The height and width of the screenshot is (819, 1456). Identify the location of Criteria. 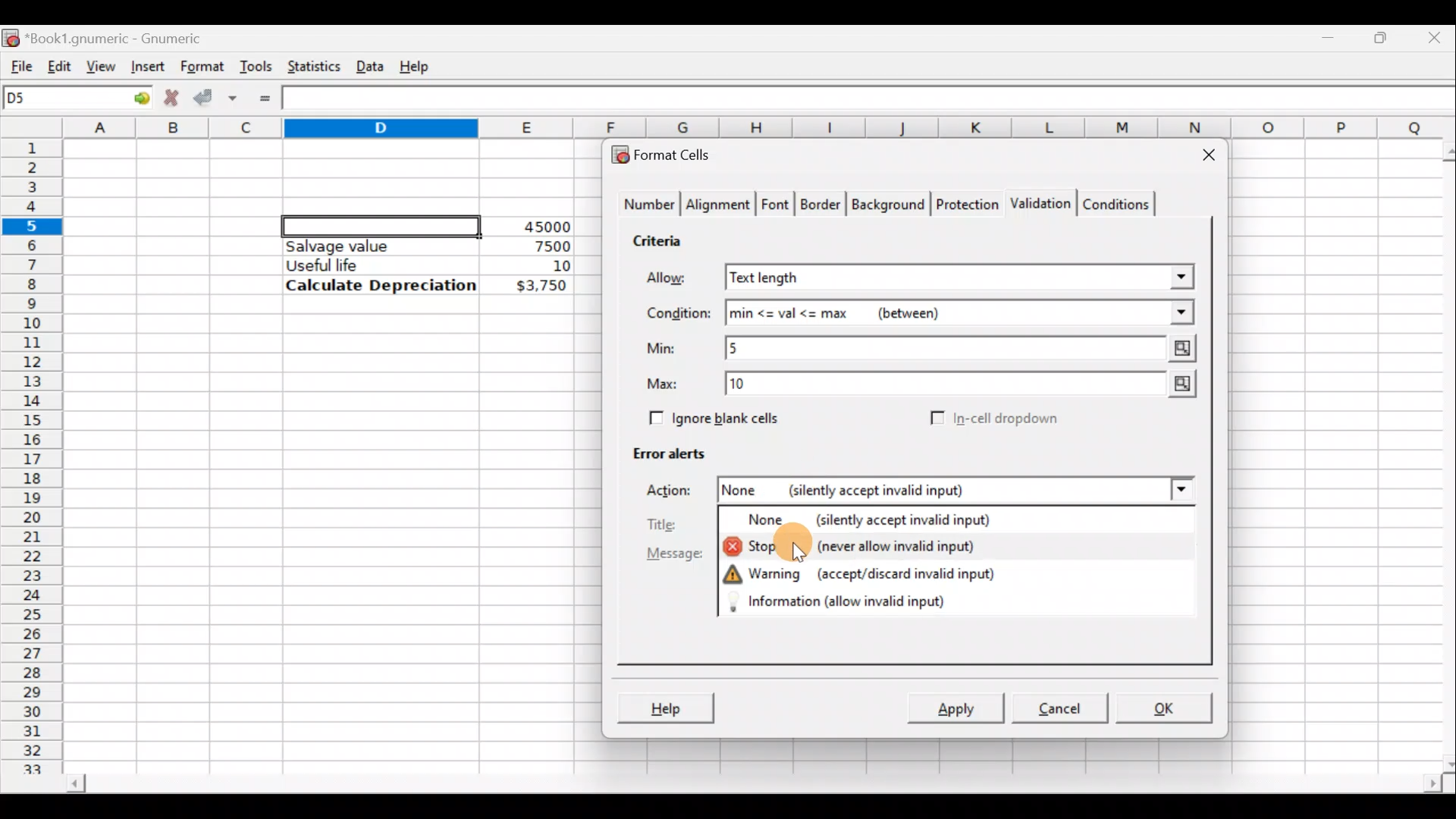
(663, 238).